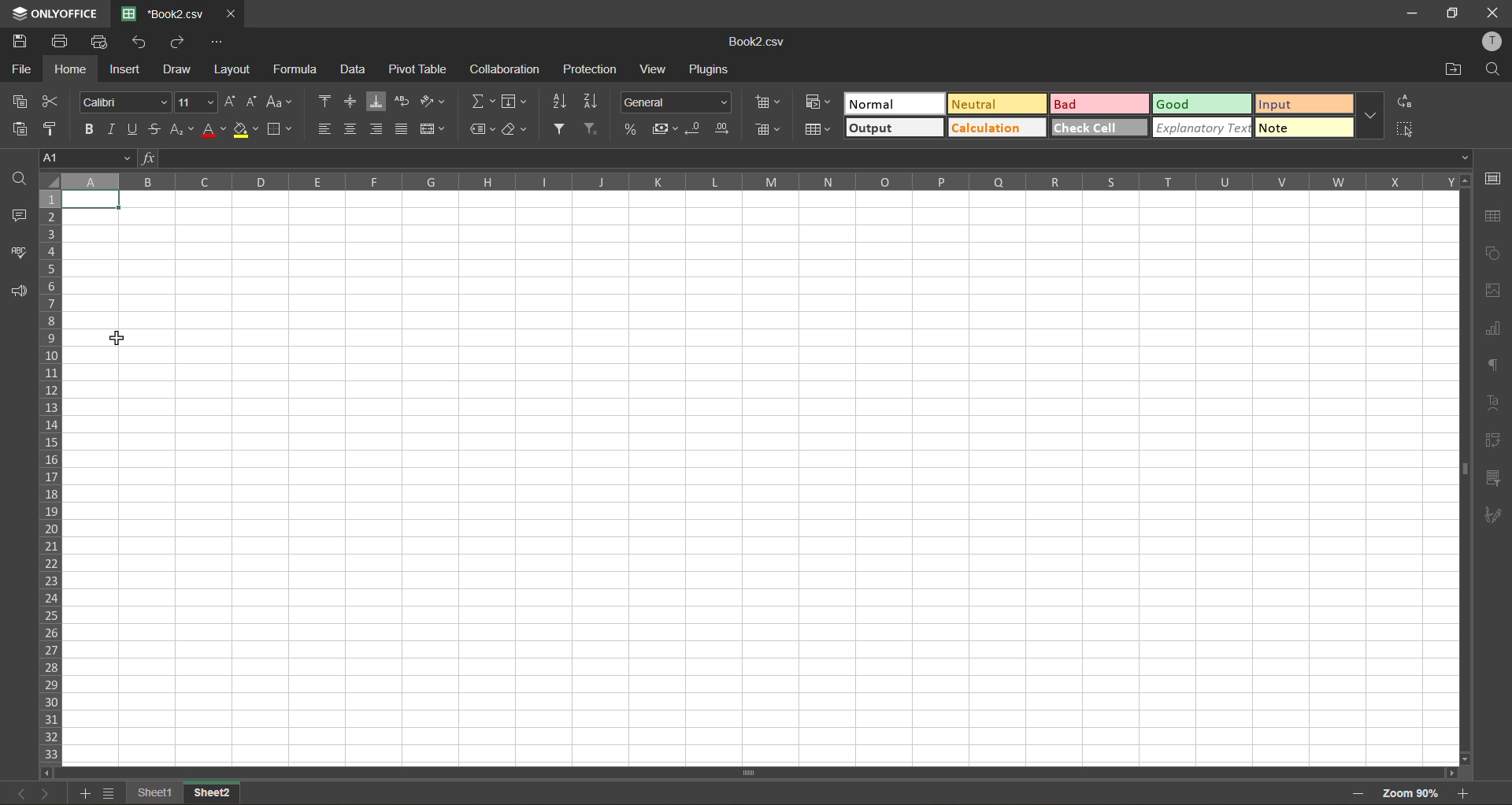  Describe the element at coordinates (48, 477) in the screenshot. I see `row nos` at that location.